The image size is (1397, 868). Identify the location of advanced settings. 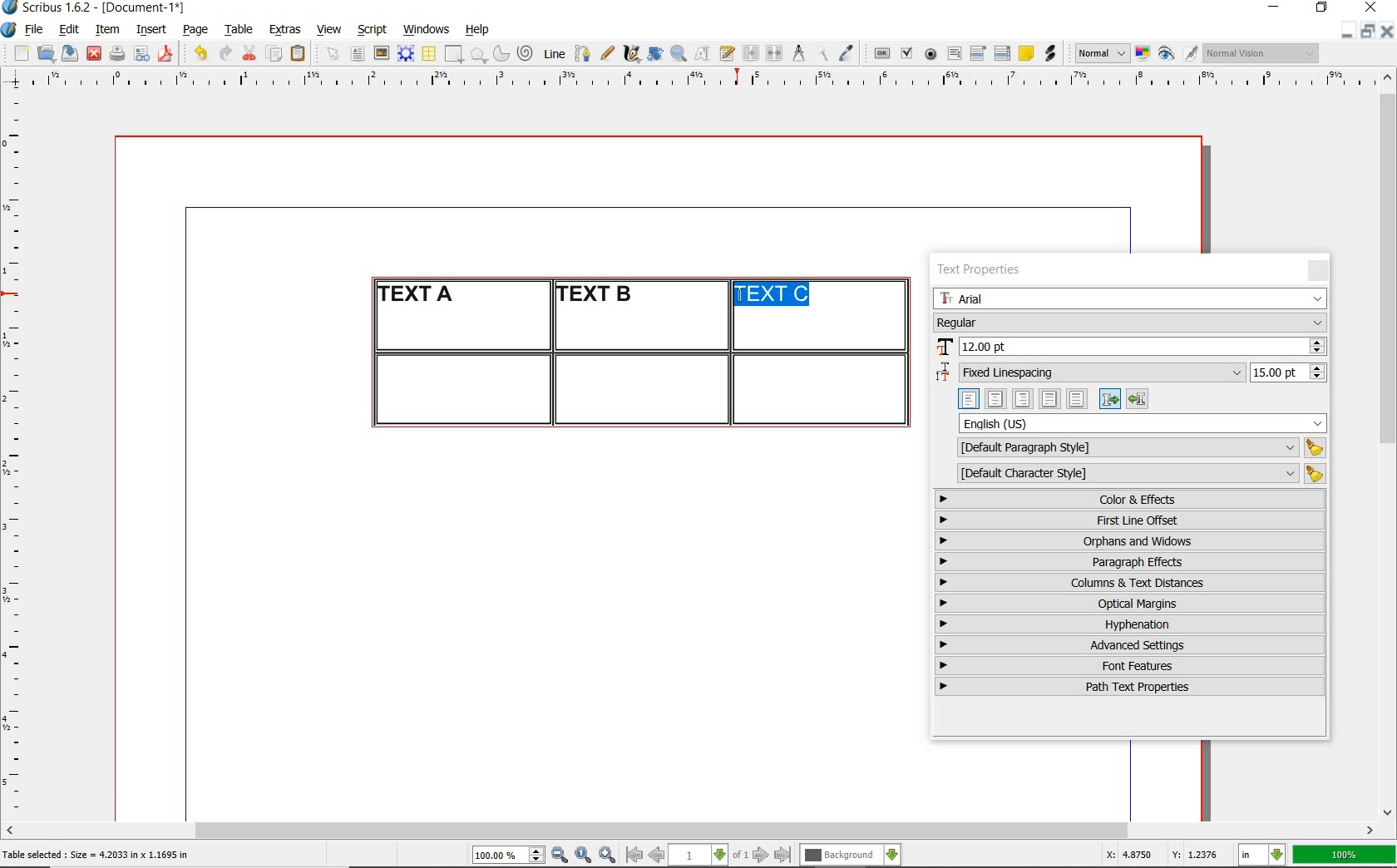
(1128, 644).